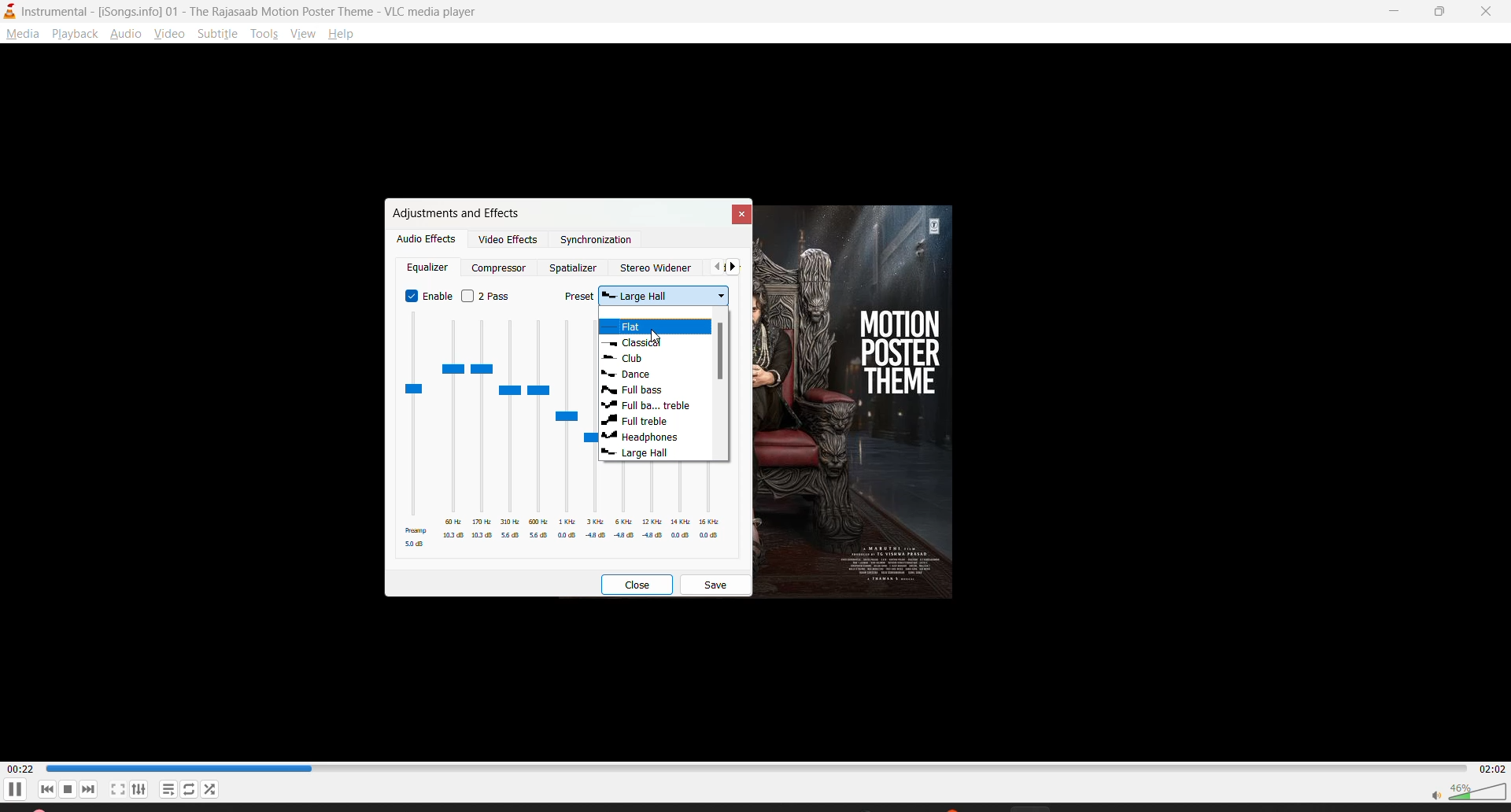 This screenshot has height=812, width=1511. Describe the element at coordinates (430, 269) in the screenshot. I see `equalizer` at that location.